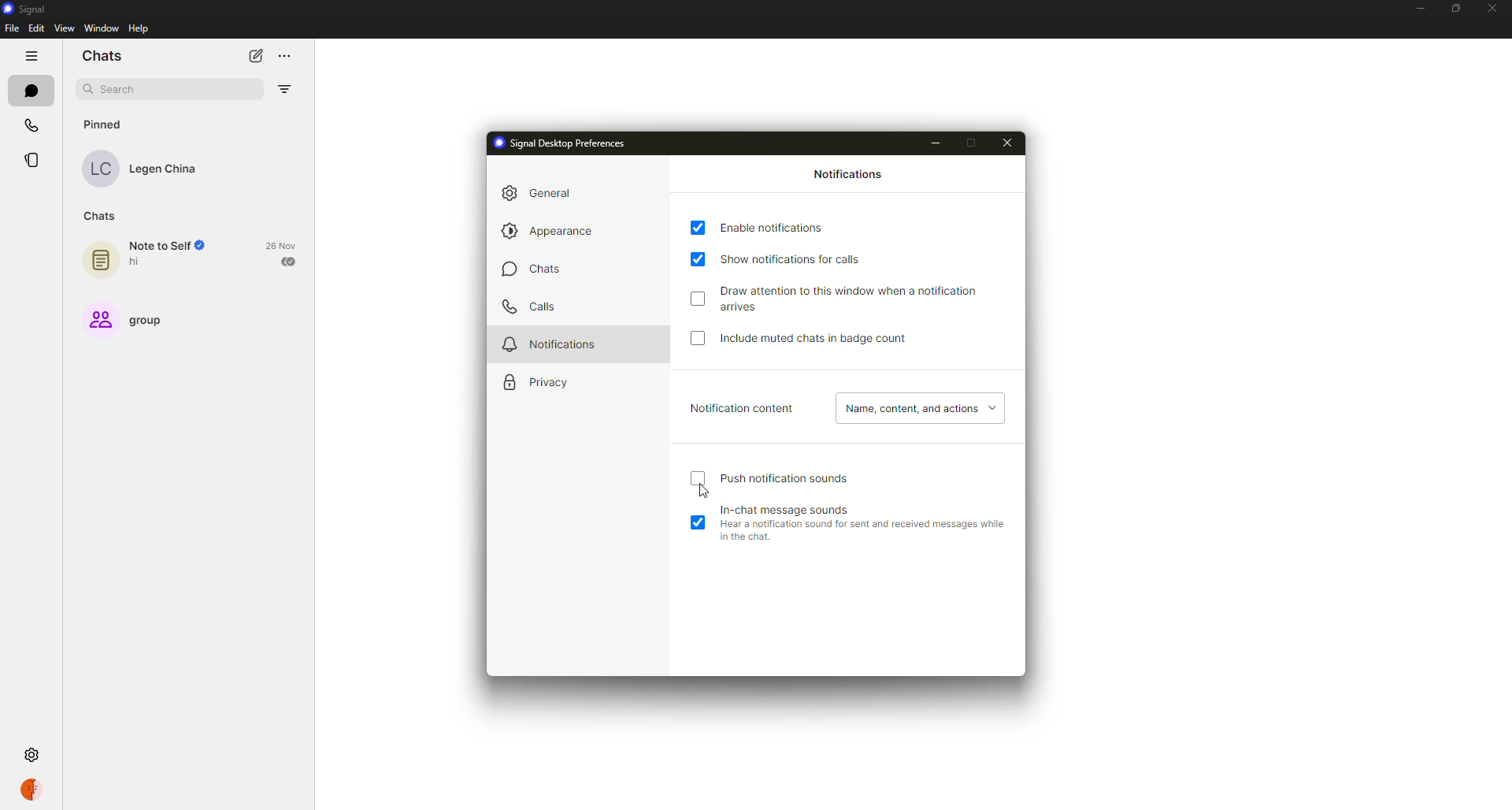 Image resolution: width=1512 pixels, height=810 pixels. What do you see at coordinates (66, 30) in the screenshot?
I see `view` at bounding box center [66, 30].